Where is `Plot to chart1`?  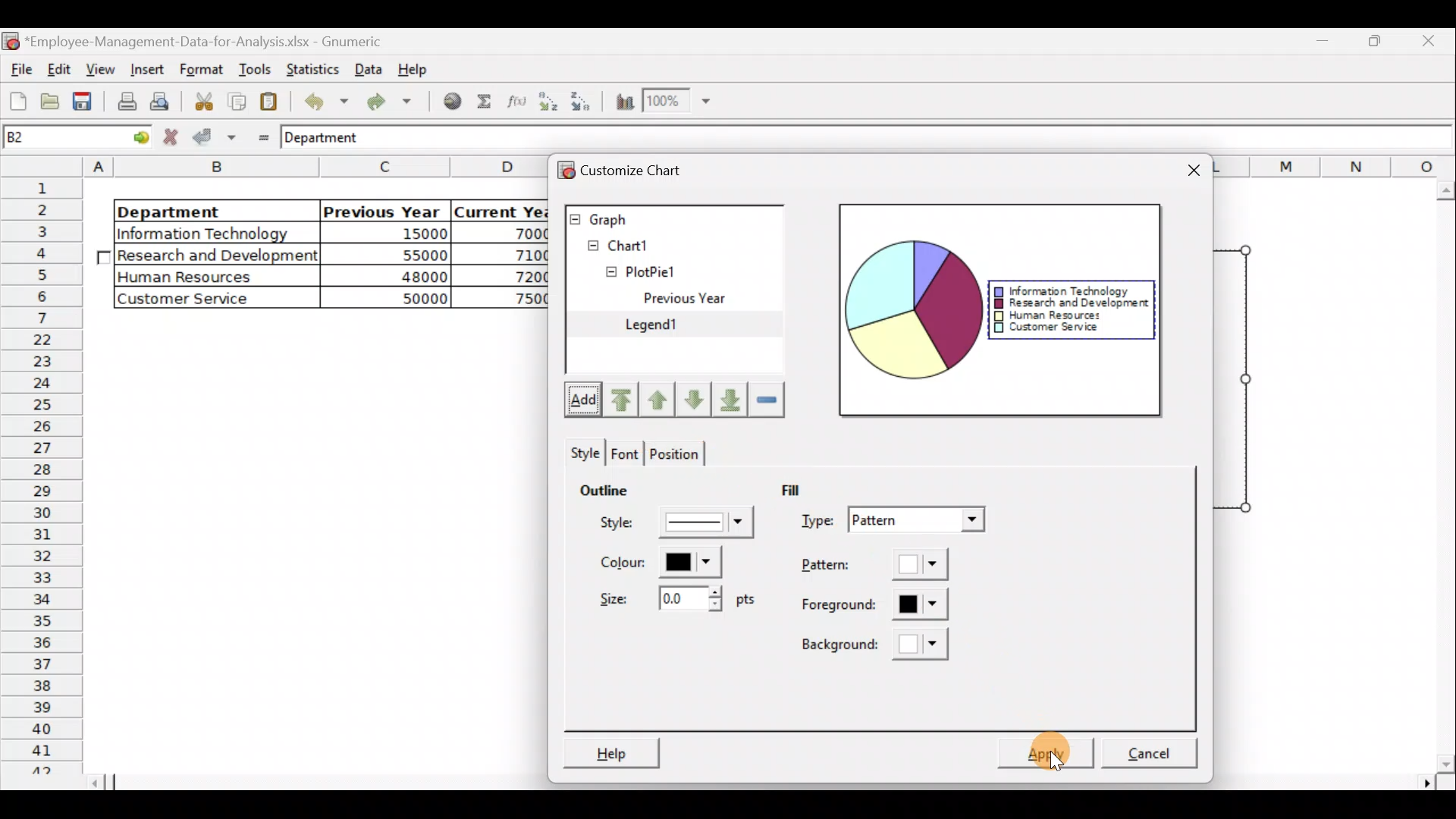
Plot to chart1 is located at coordinates (665, 454).